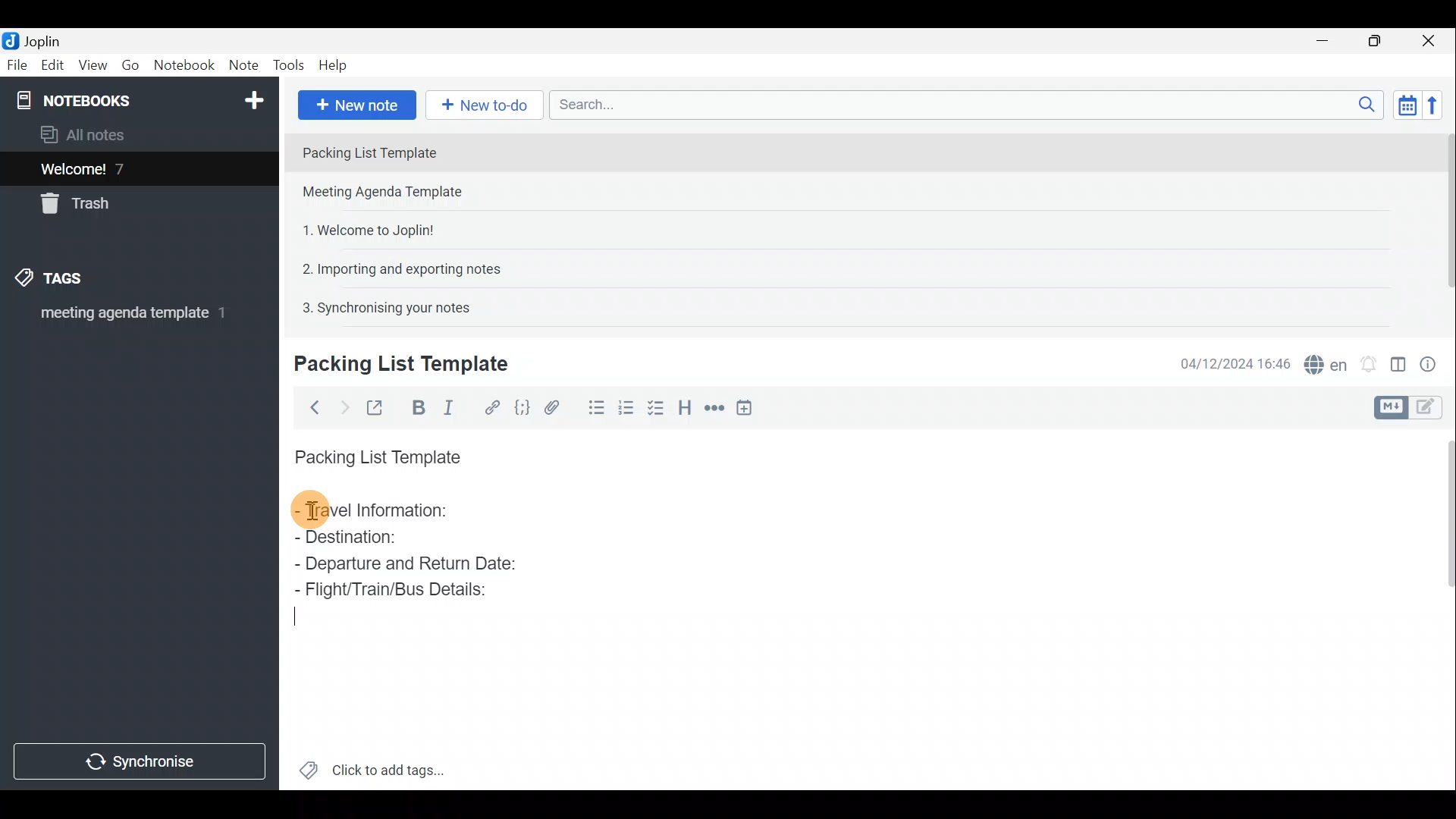  Describe the element at coordinates (1322, 362) in the screenshot. I see `Spell checker` at that location.